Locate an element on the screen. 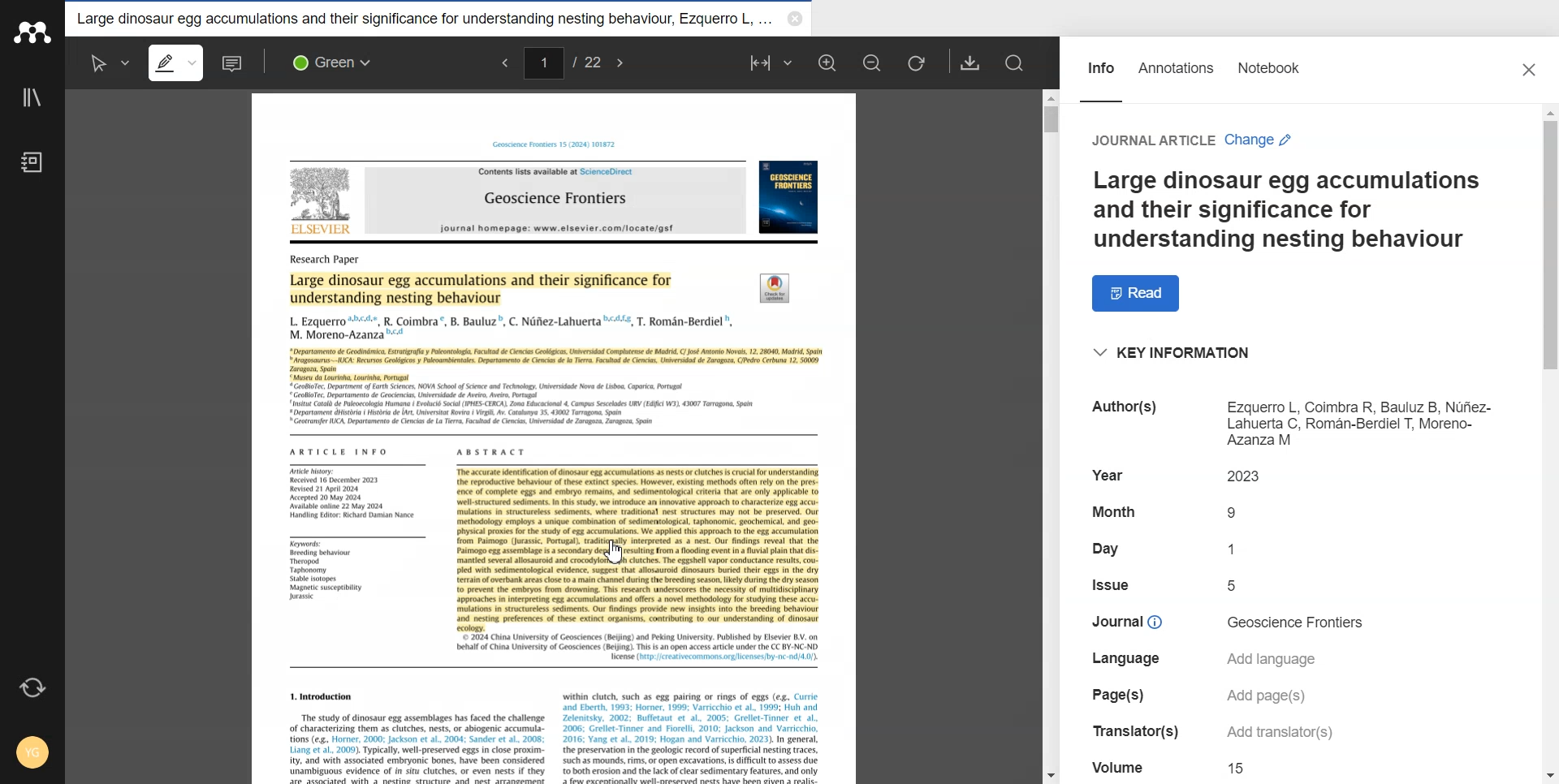 The width and height of the screenshot is (1559, 784). Rotate page is located at coordinates (917, 63).